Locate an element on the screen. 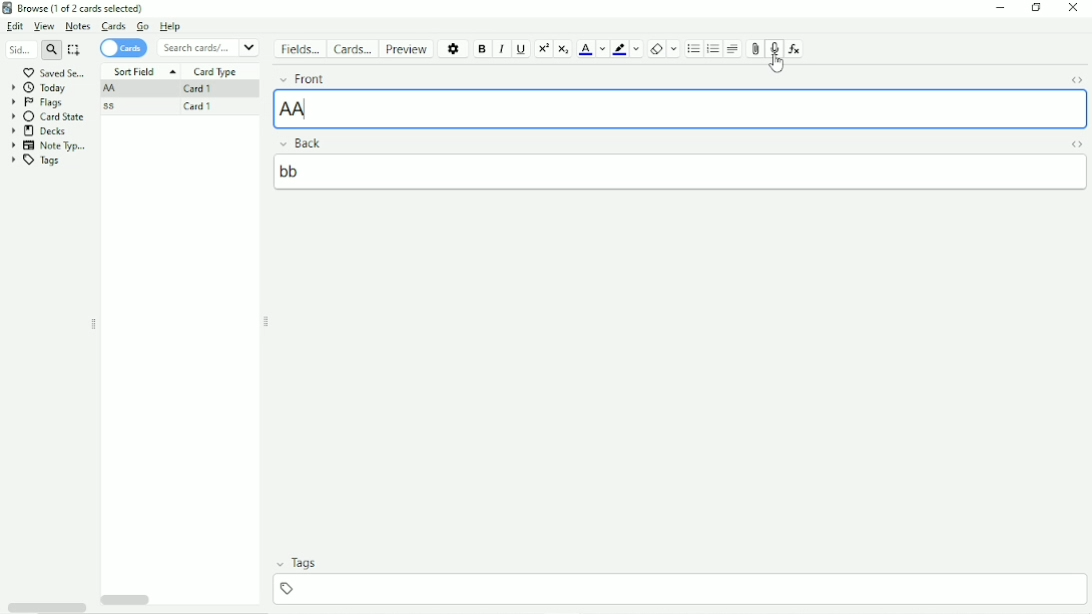 The height and width of the screenshot is (614, 1092). Bold is located at coordinates (482, 49).